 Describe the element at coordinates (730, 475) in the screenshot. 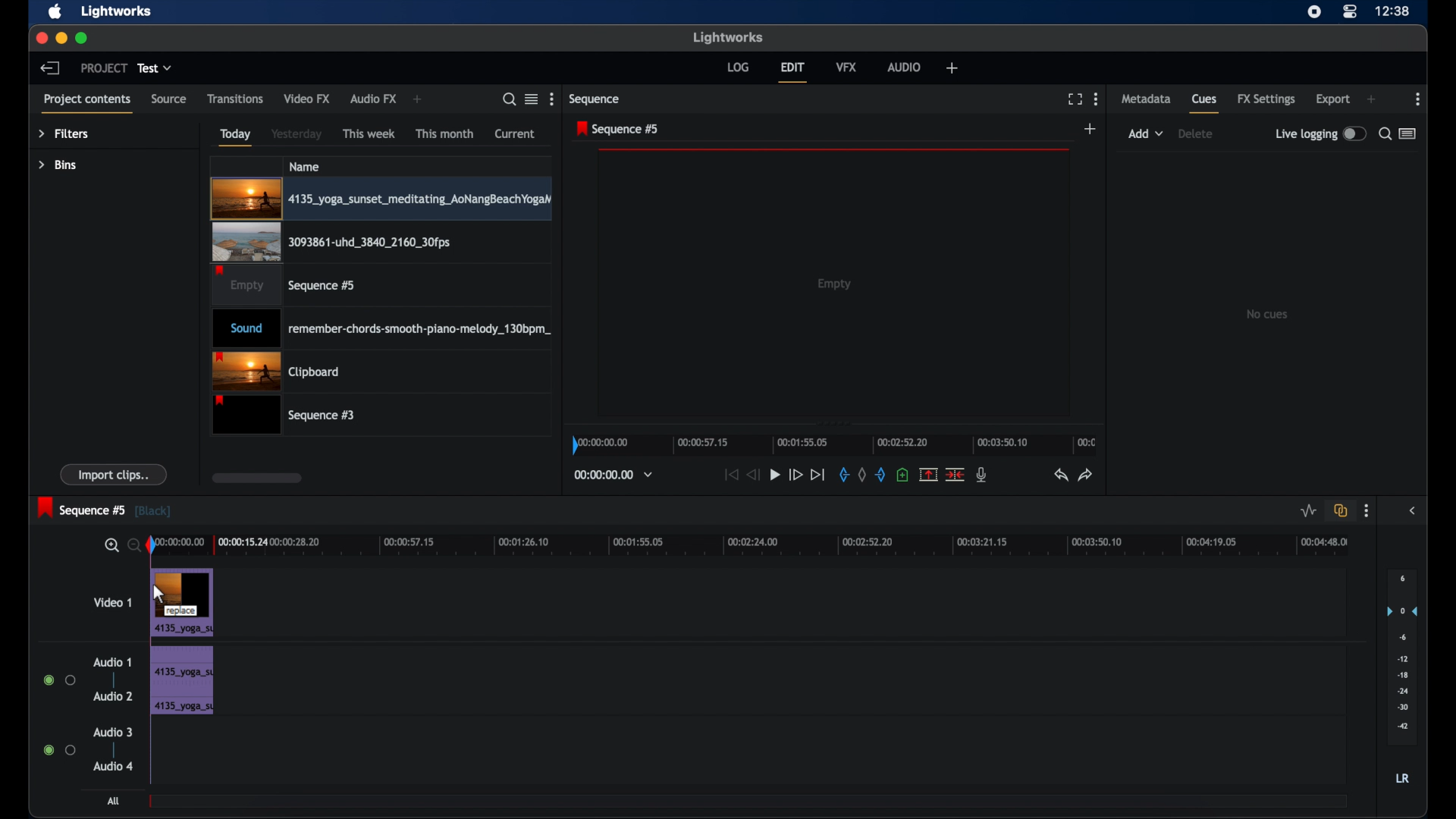

I see `jump to  start` at that location.